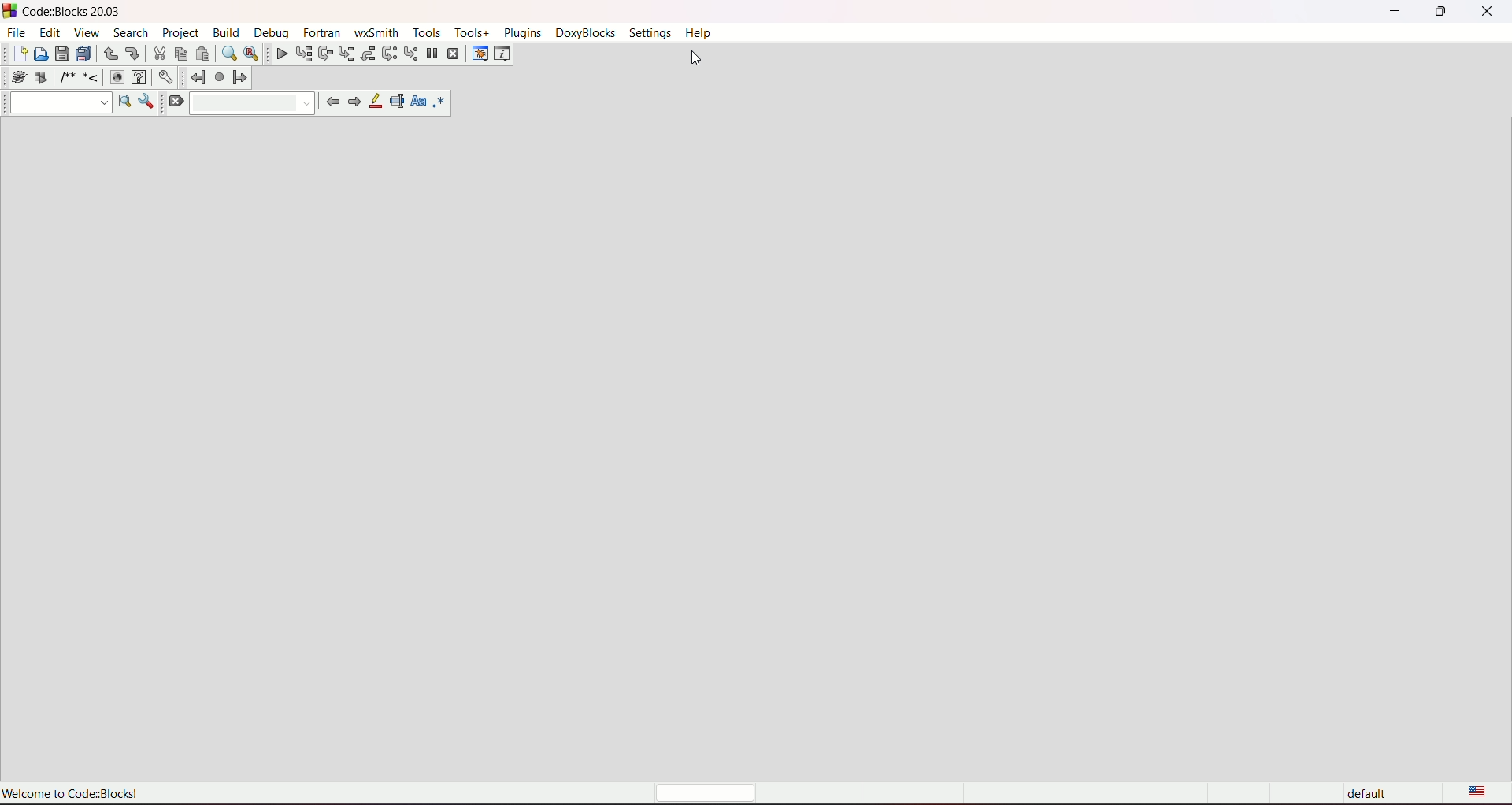  I want to click on jump back, so click(199, 77).